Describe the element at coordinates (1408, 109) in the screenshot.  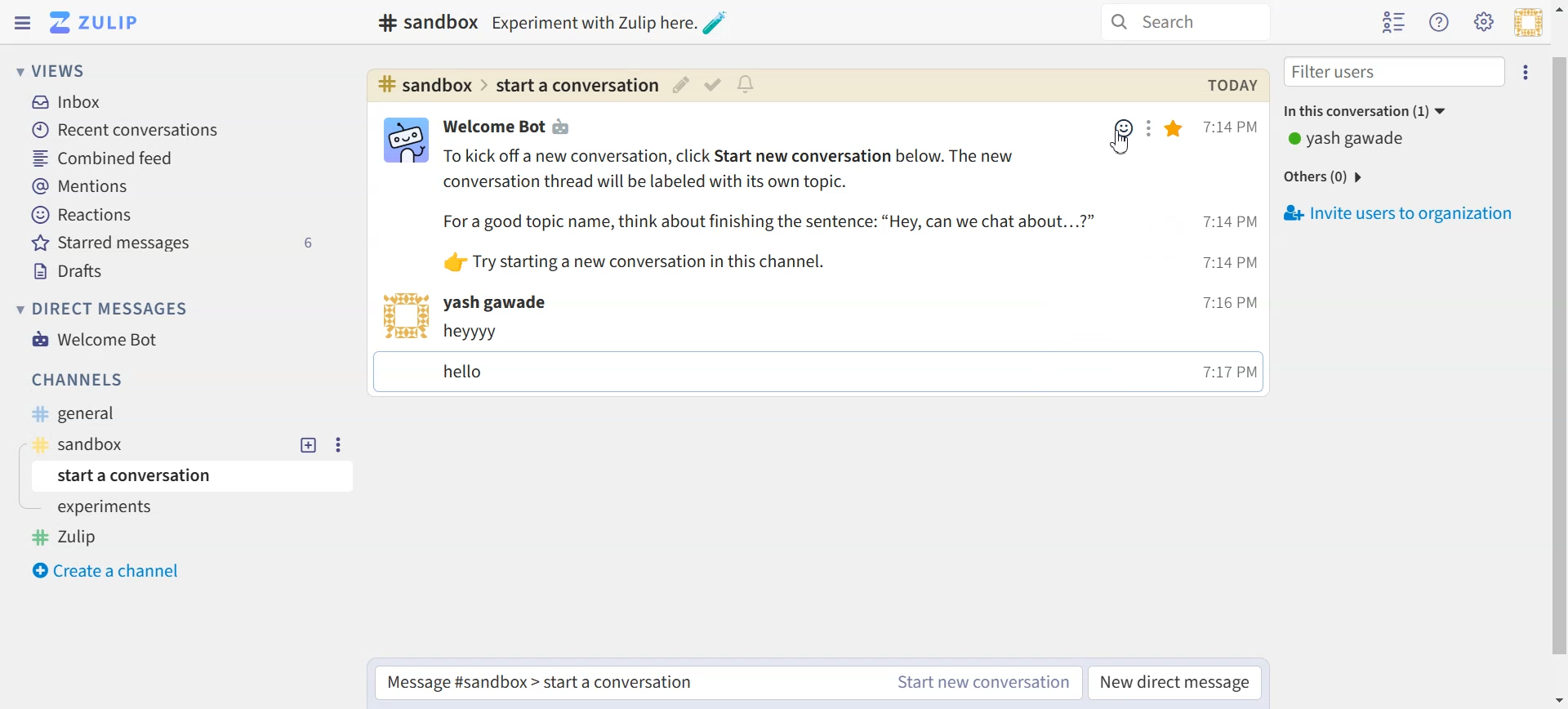
I see `In this conversation` at that location.